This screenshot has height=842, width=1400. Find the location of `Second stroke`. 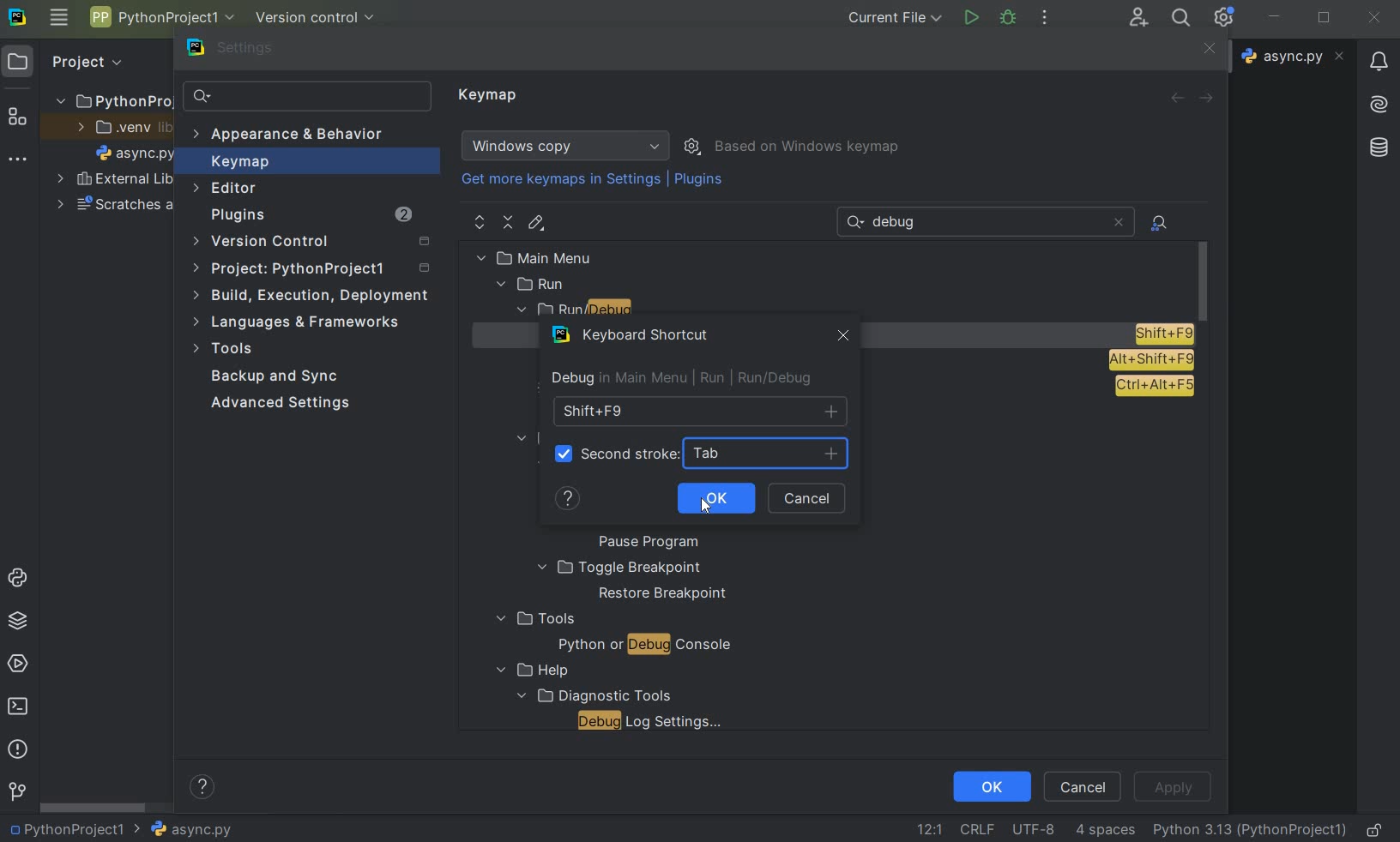

Second stroke is located at coordinates (630, 454).